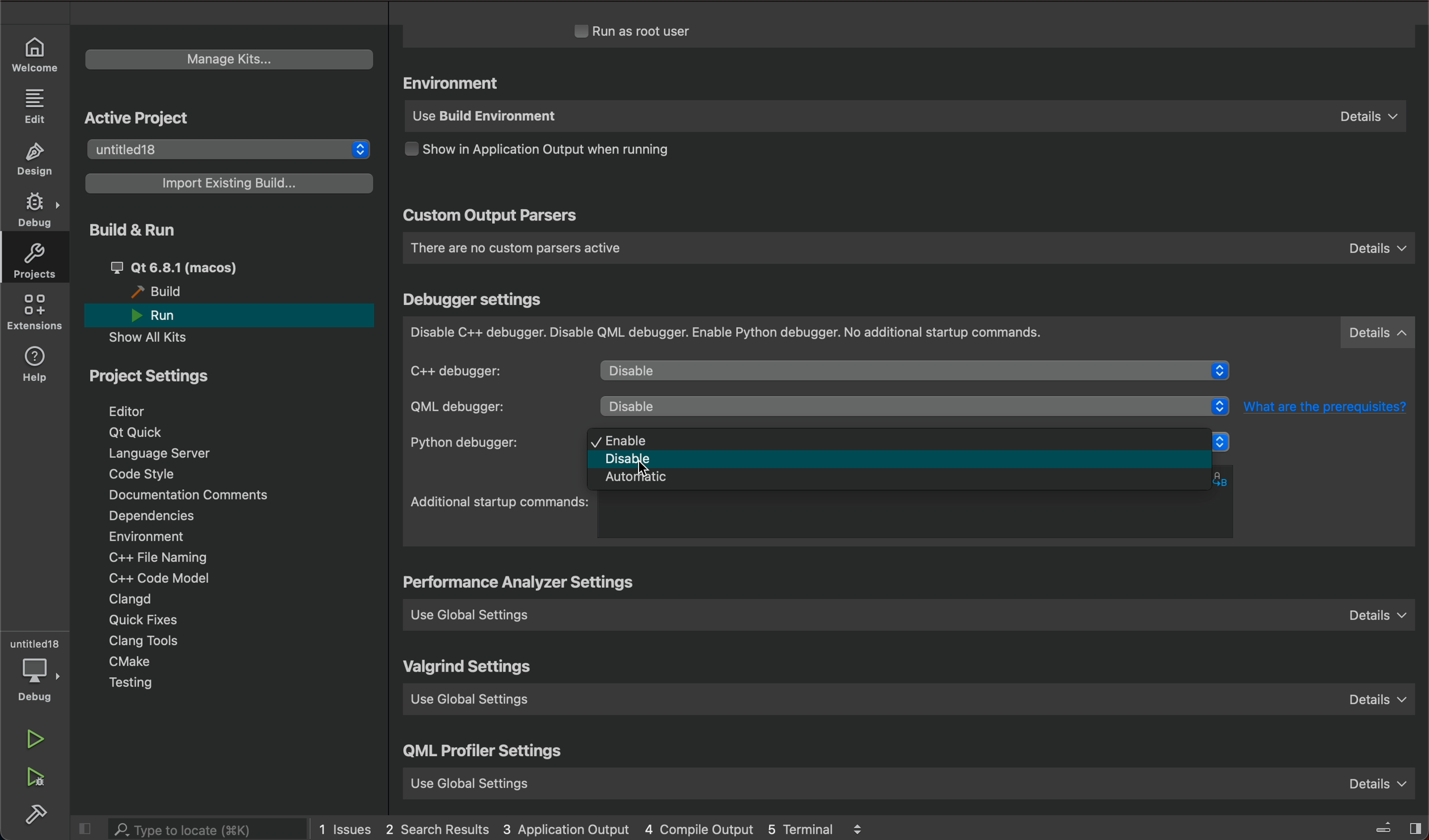 The height and width of the screenshot is (840, 1429). Describe the element at coordinates (470, 668) in the screenshot. I see `valgrind` at that location.